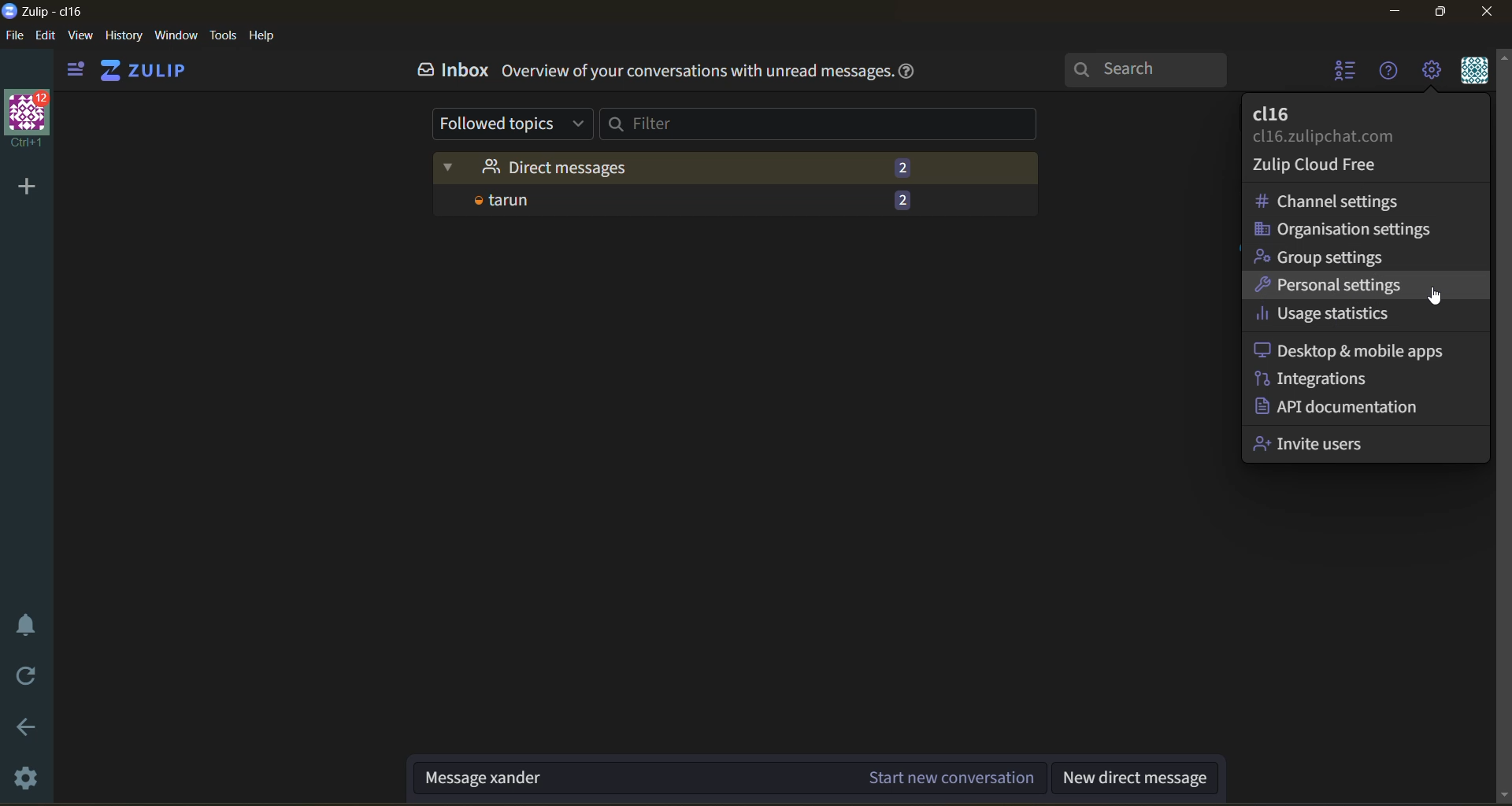 The width and height of the screenshot is (1512, 806). Describe the element at coordinates (30, 120) in the screenshot. I see `organisation name and profile picture` at that location.